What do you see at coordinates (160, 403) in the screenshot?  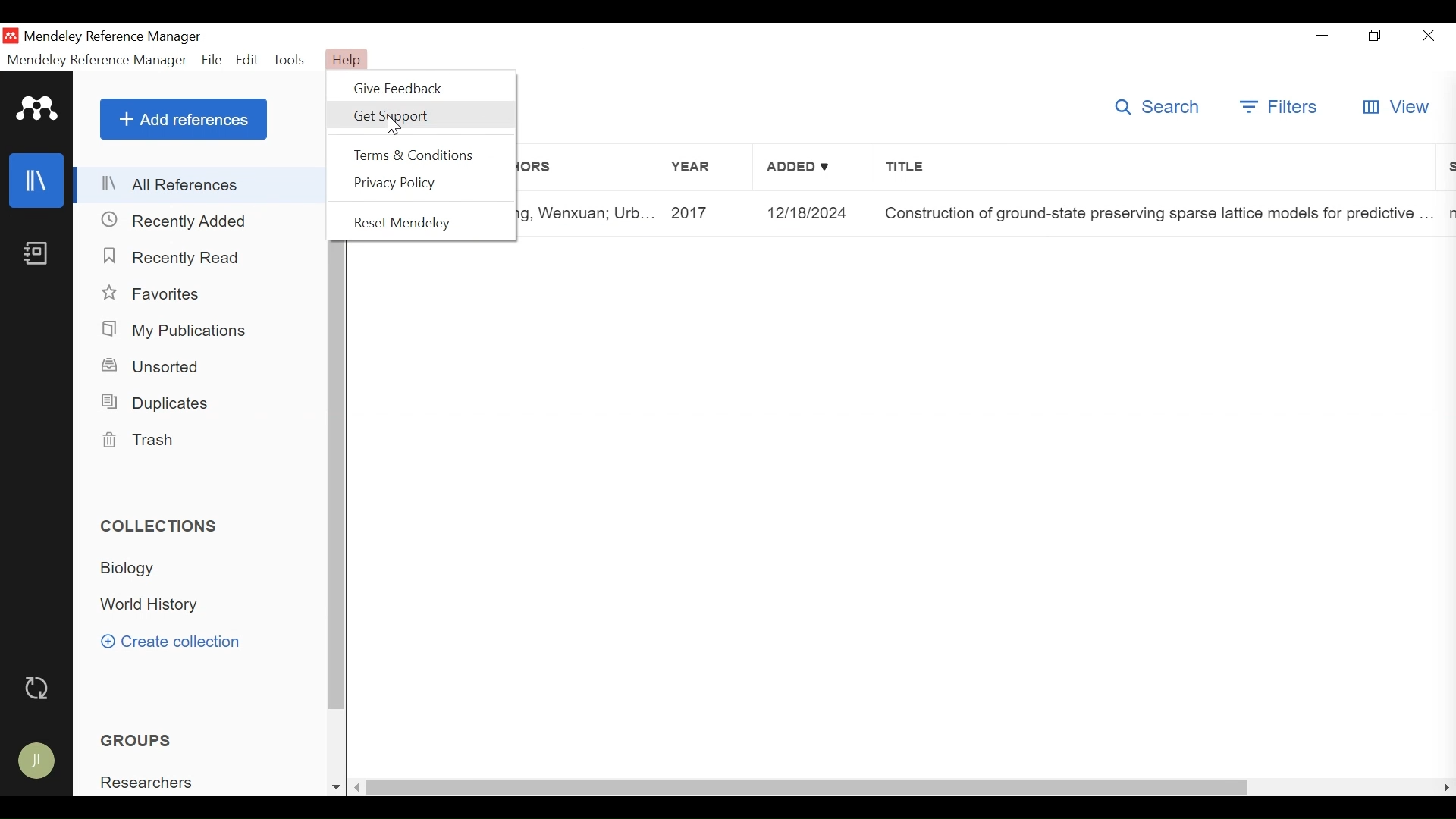 I see `Duplicates` at bounding box center [160, 403].